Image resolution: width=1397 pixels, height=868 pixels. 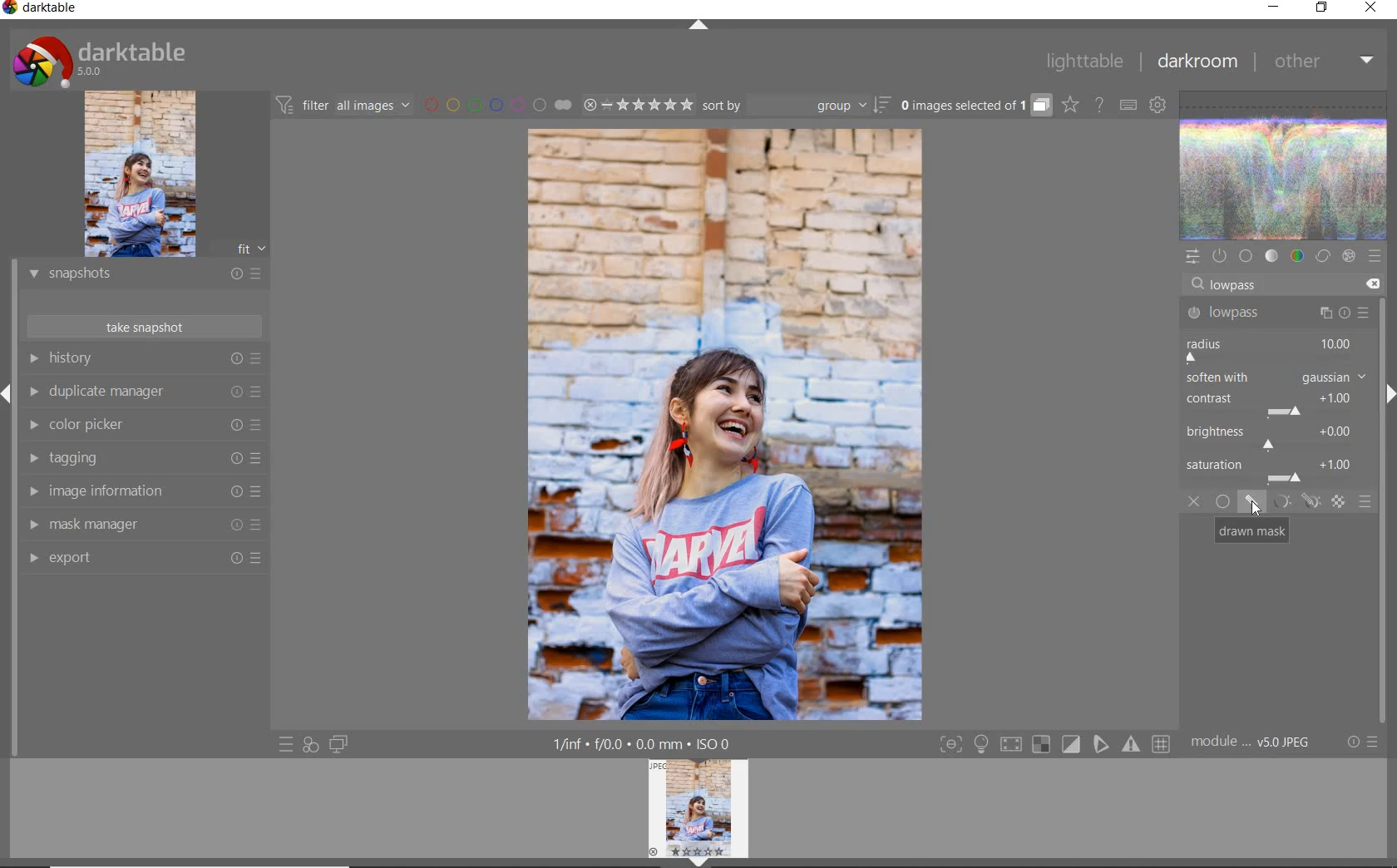 What do you see at coordinates (146, 393) in the screenshot?
I see `duplicate manager` at bounding box center [146, 393].